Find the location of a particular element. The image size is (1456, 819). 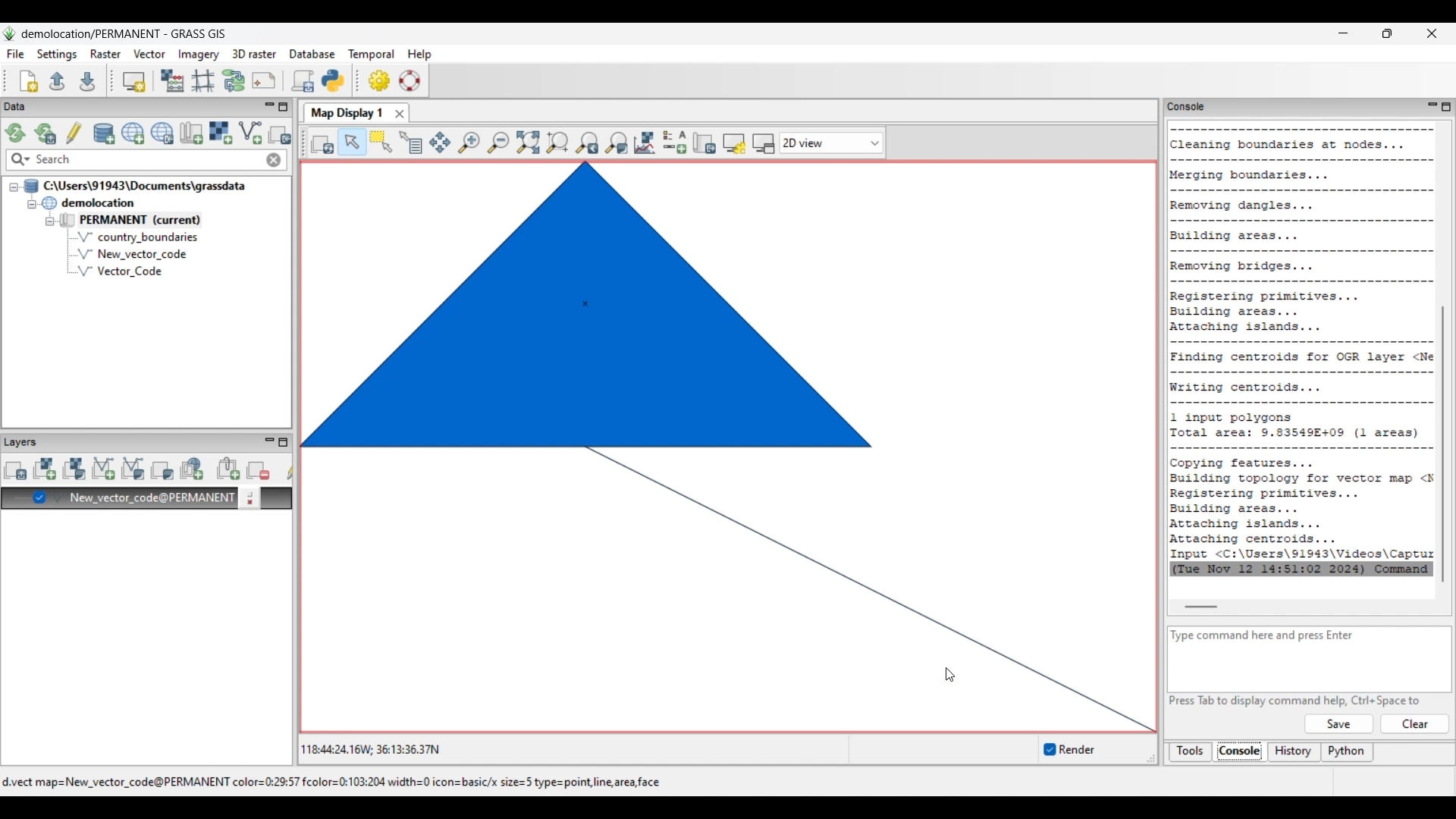

Add various vector map layers is located at coordinates (133, 469).